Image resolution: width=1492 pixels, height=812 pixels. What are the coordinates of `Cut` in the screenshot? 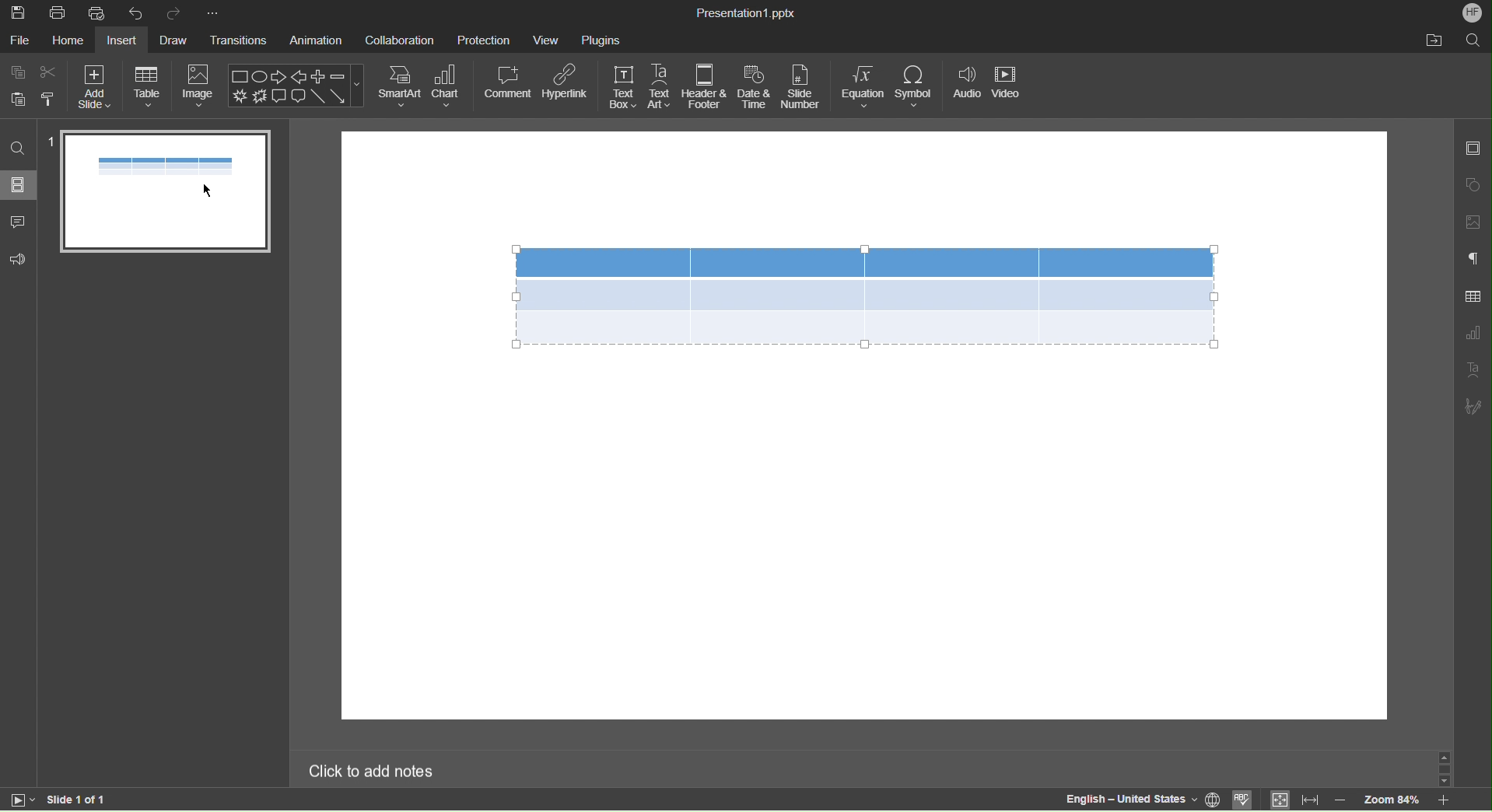 It's located at (50, 72).